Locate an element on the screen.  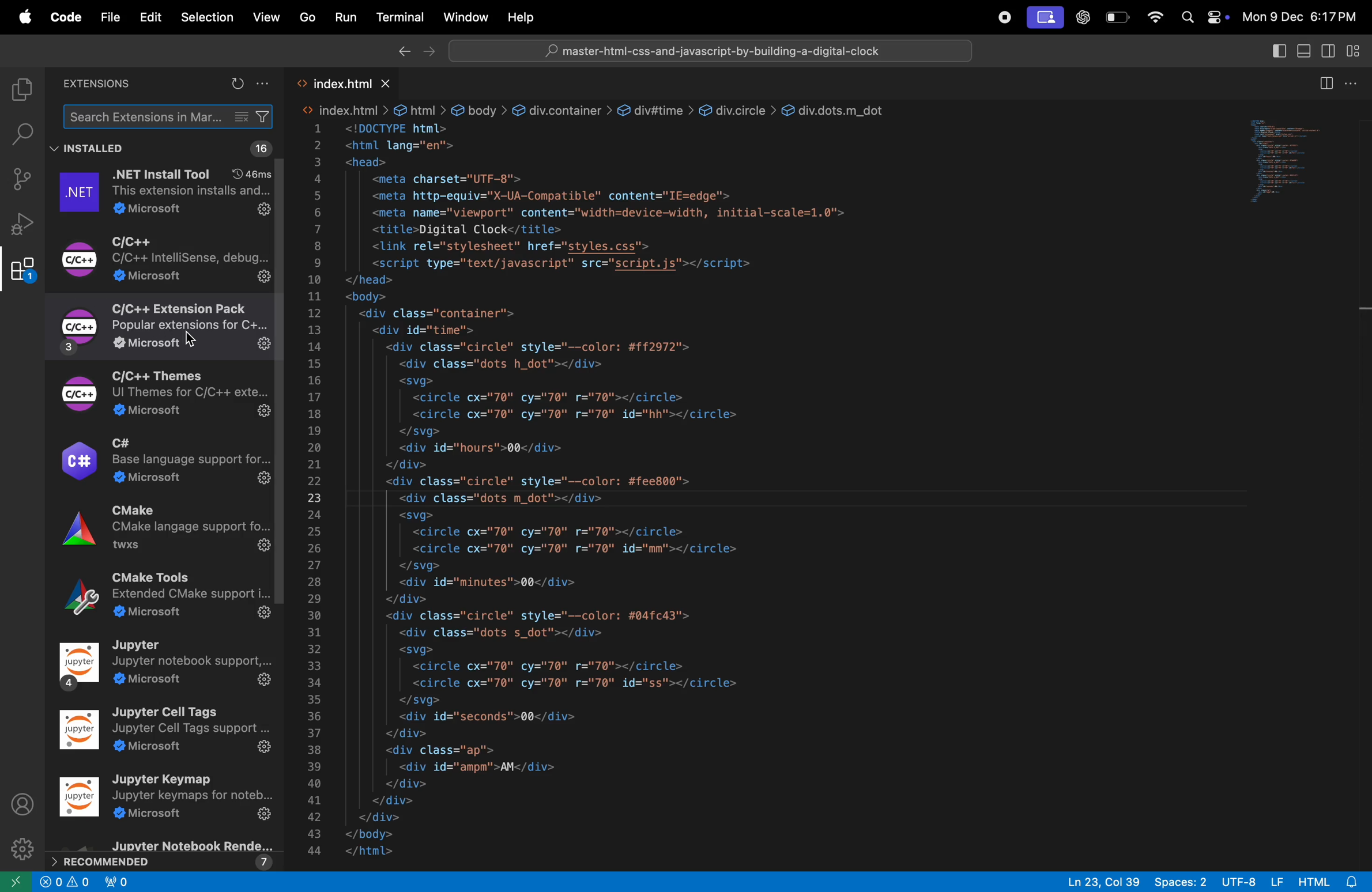
Terminal is located at coordinates (398, 18).